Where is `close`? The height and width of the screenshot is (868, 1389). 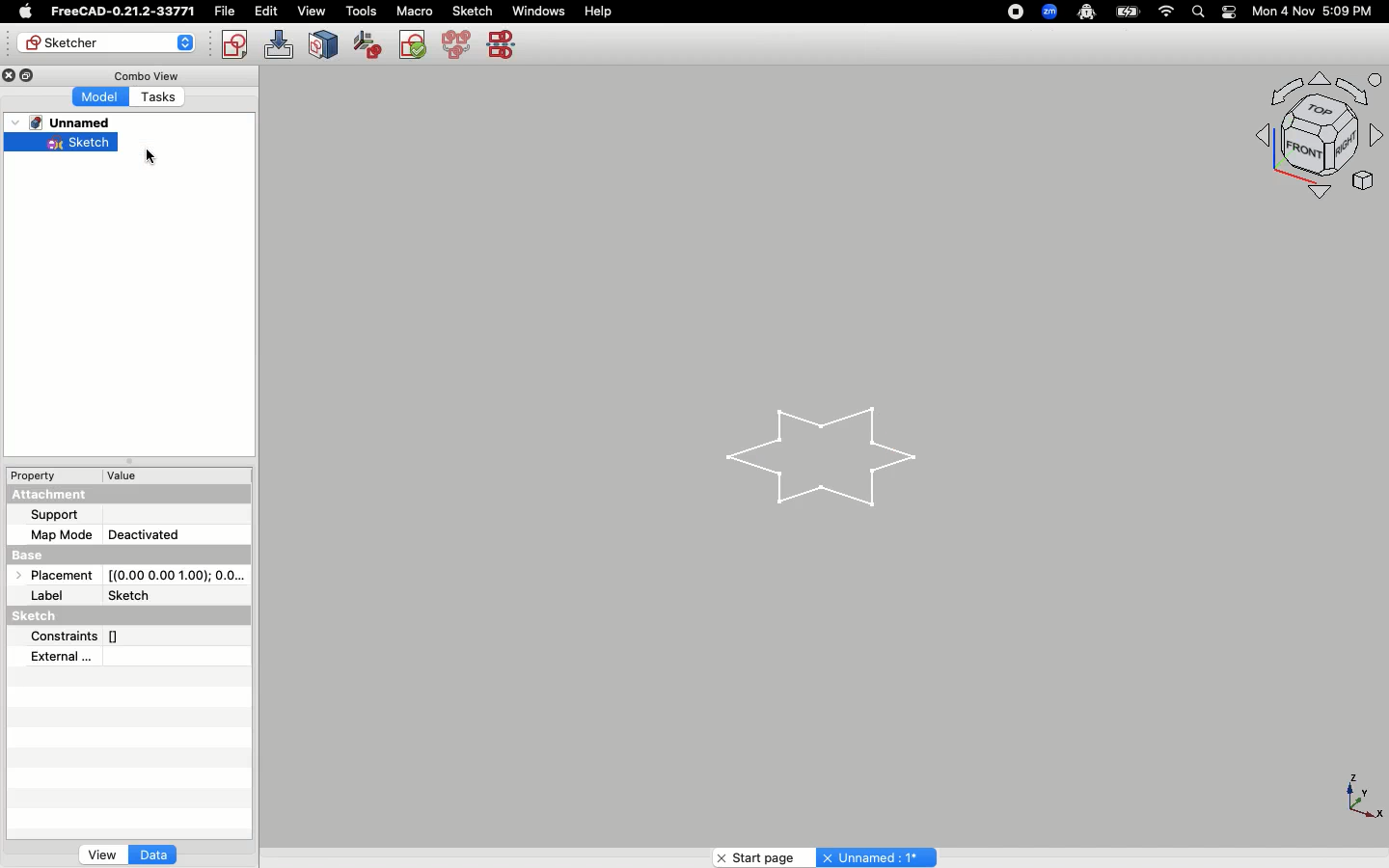
close is located at coordinates (11, 73).